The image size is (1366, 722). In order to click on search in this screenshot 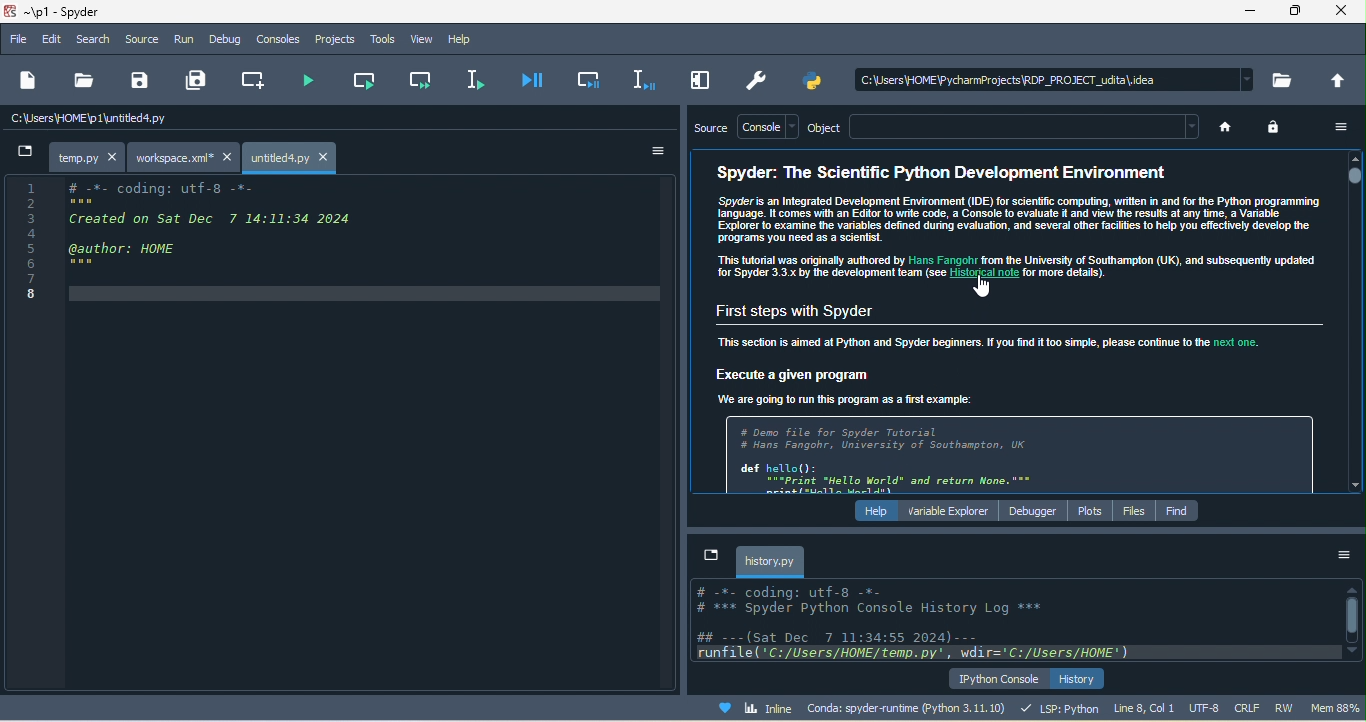, I will do `click(101, 41)`.